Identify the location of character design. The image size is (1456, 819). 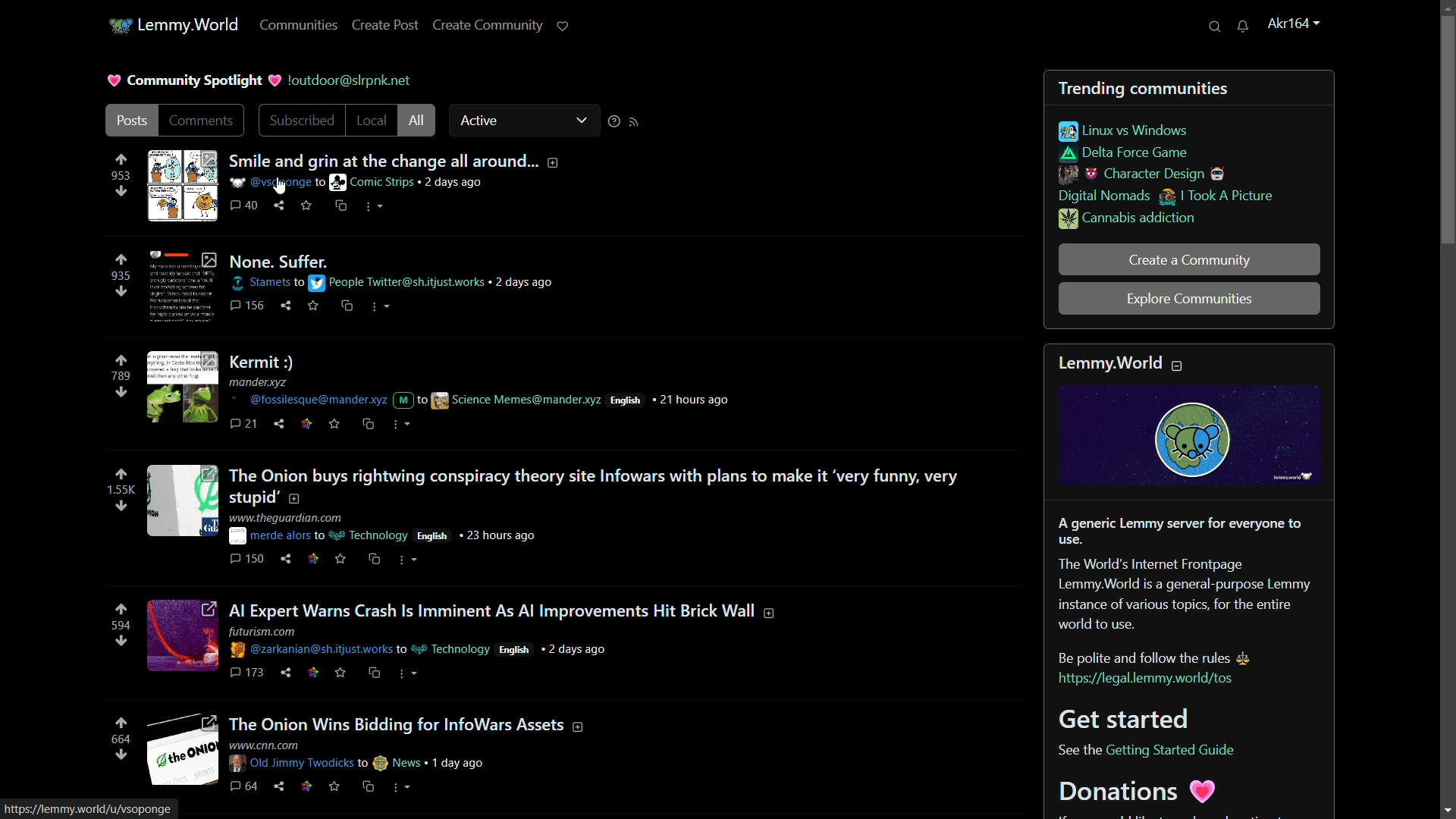
(1143, 176).